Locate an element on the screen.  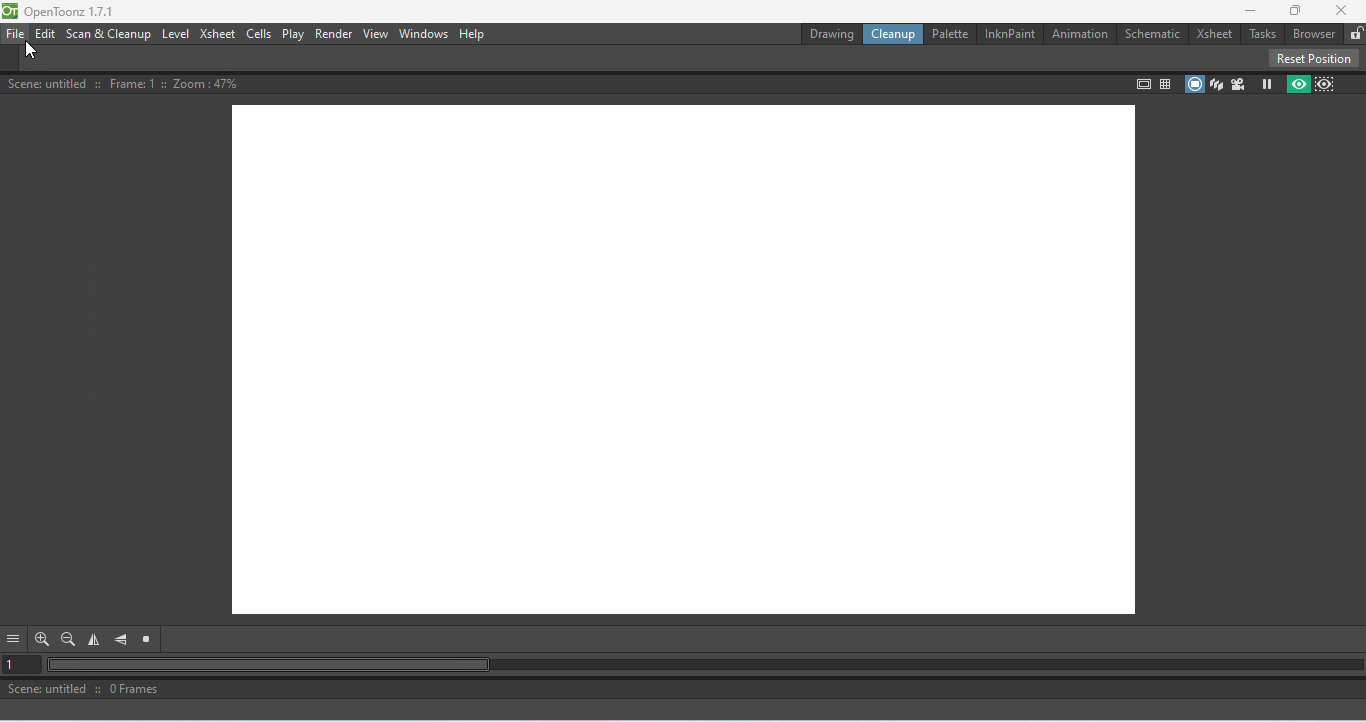
Help is located at coordinates (473, 34).